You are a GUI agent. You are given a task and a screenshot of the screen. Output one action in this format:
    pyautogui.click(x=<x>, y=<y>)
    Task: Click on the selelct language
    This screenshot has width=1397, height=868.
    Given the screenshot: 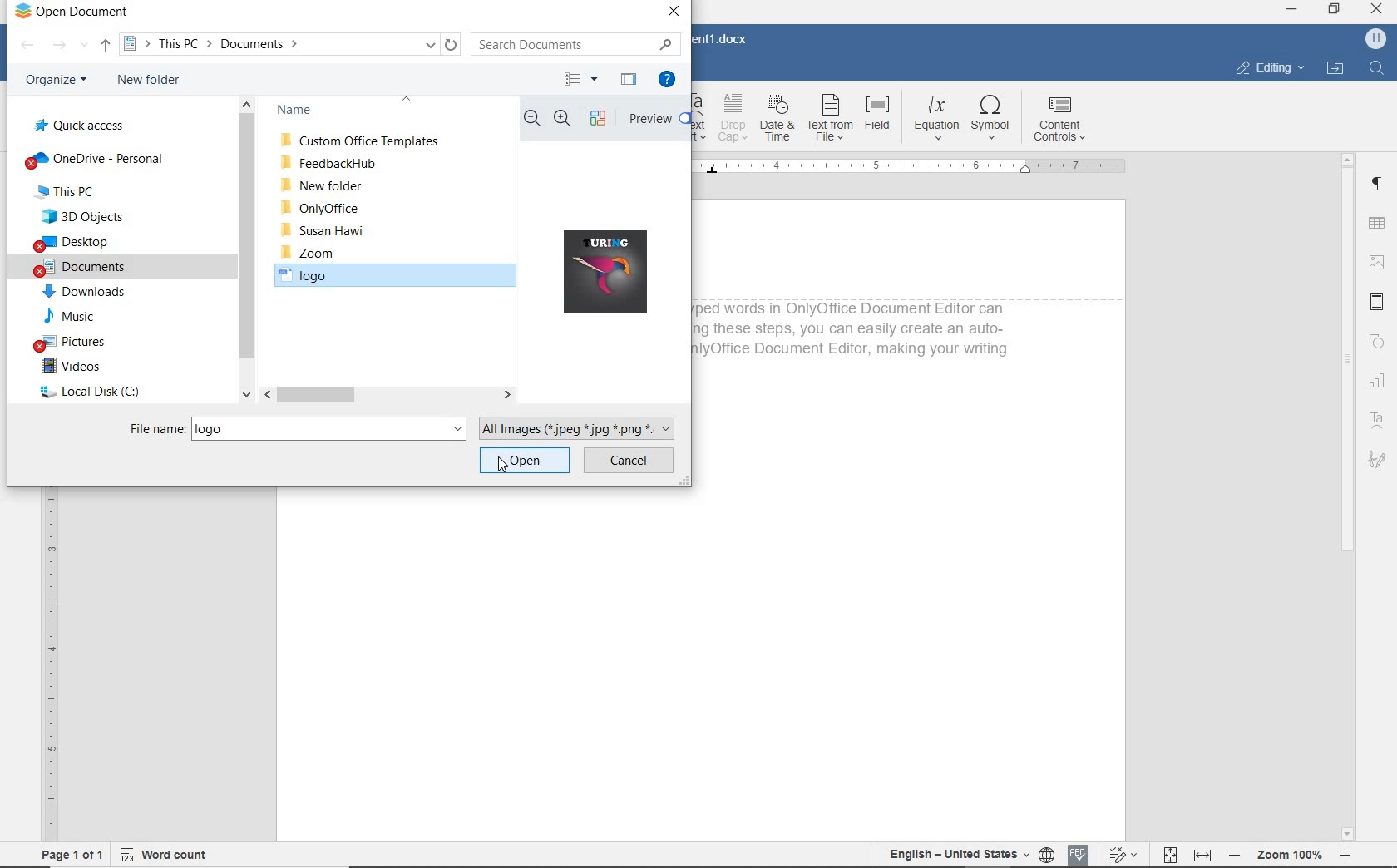 What is the action you would take?
    pyautogui.click(x=1048, y=855)
    